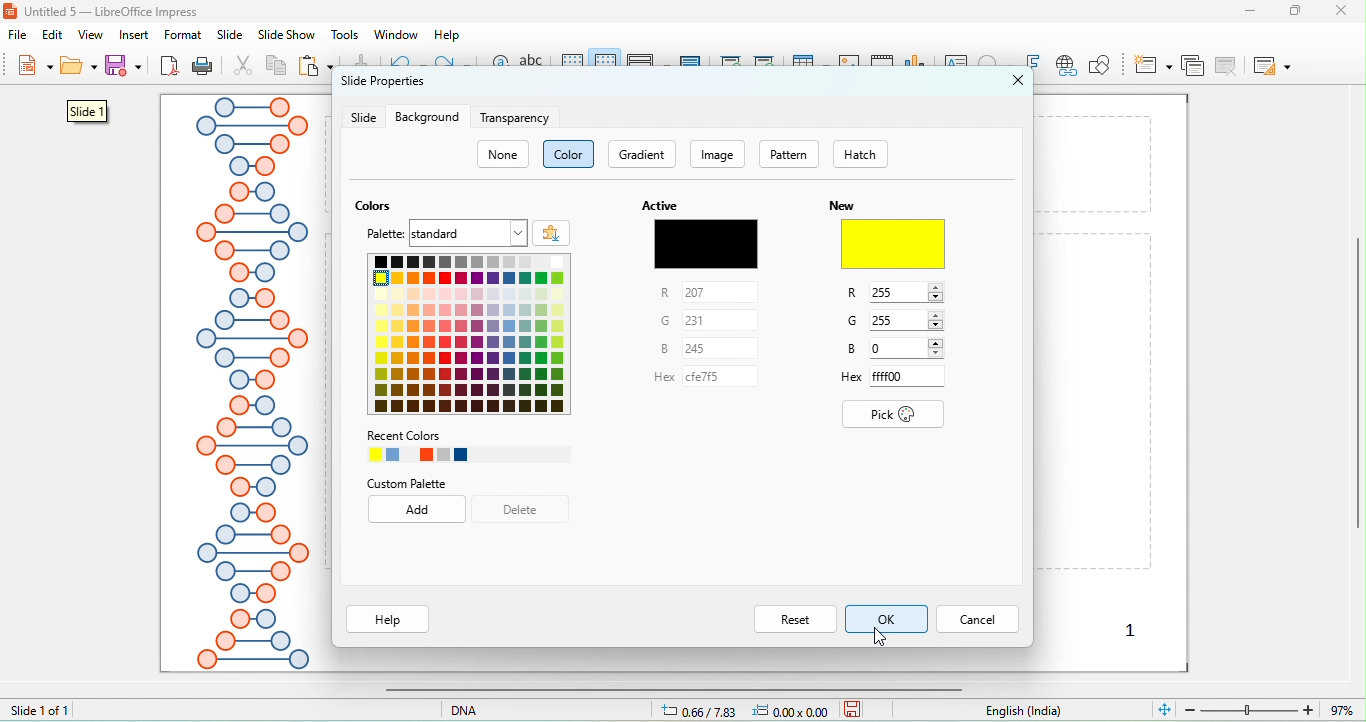 The width and height of the screenshot is (1366, 722). What do you see at coordinates (896, 415) in the screenshot?
I see `pick` at bounding box center [896, 415].